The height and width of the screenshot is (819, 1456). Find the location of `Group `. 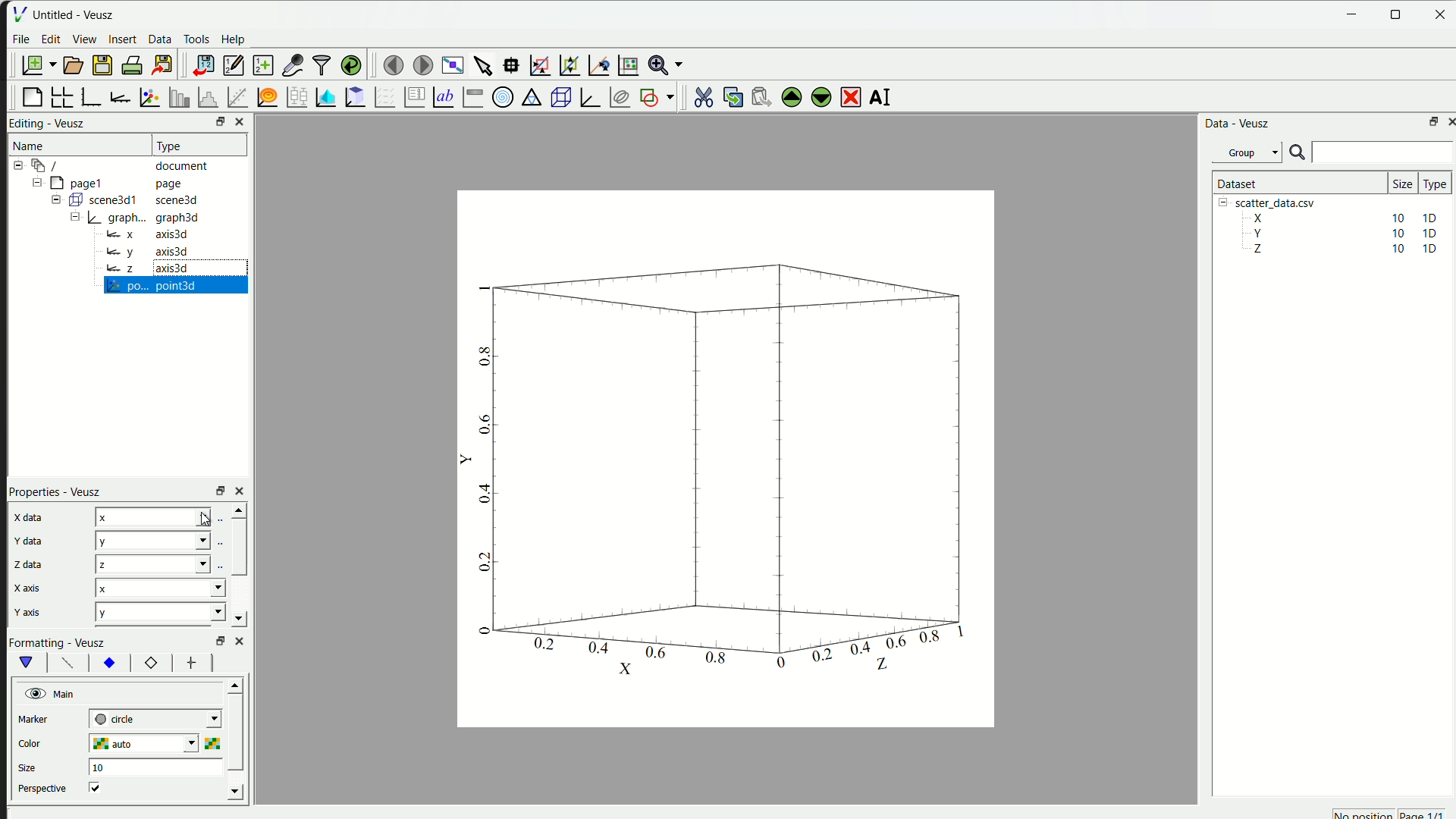

Group  is located at coordinates (1247, 154).